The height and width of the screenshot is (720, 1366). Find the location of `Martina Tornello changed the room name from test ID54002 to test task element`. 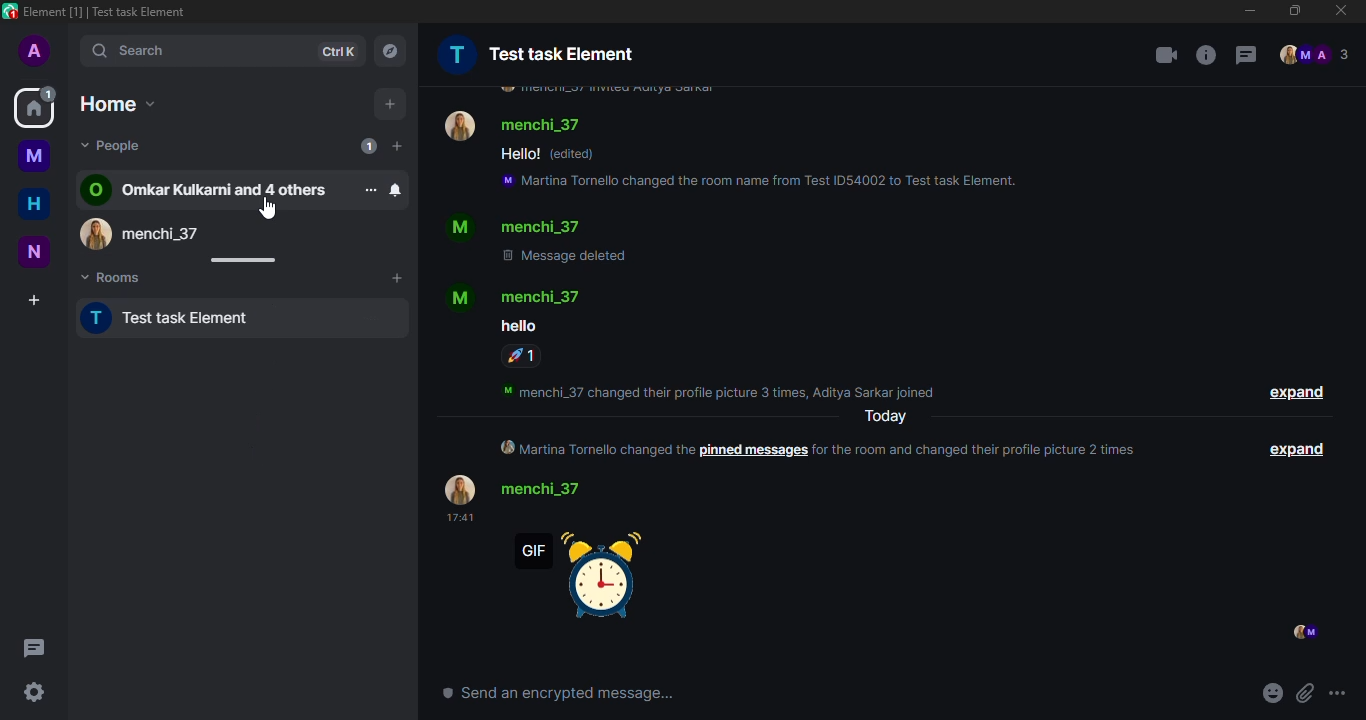

Martina Tornello changed the room name from test ID54002 to test task element is located at coordinates (755, 181).